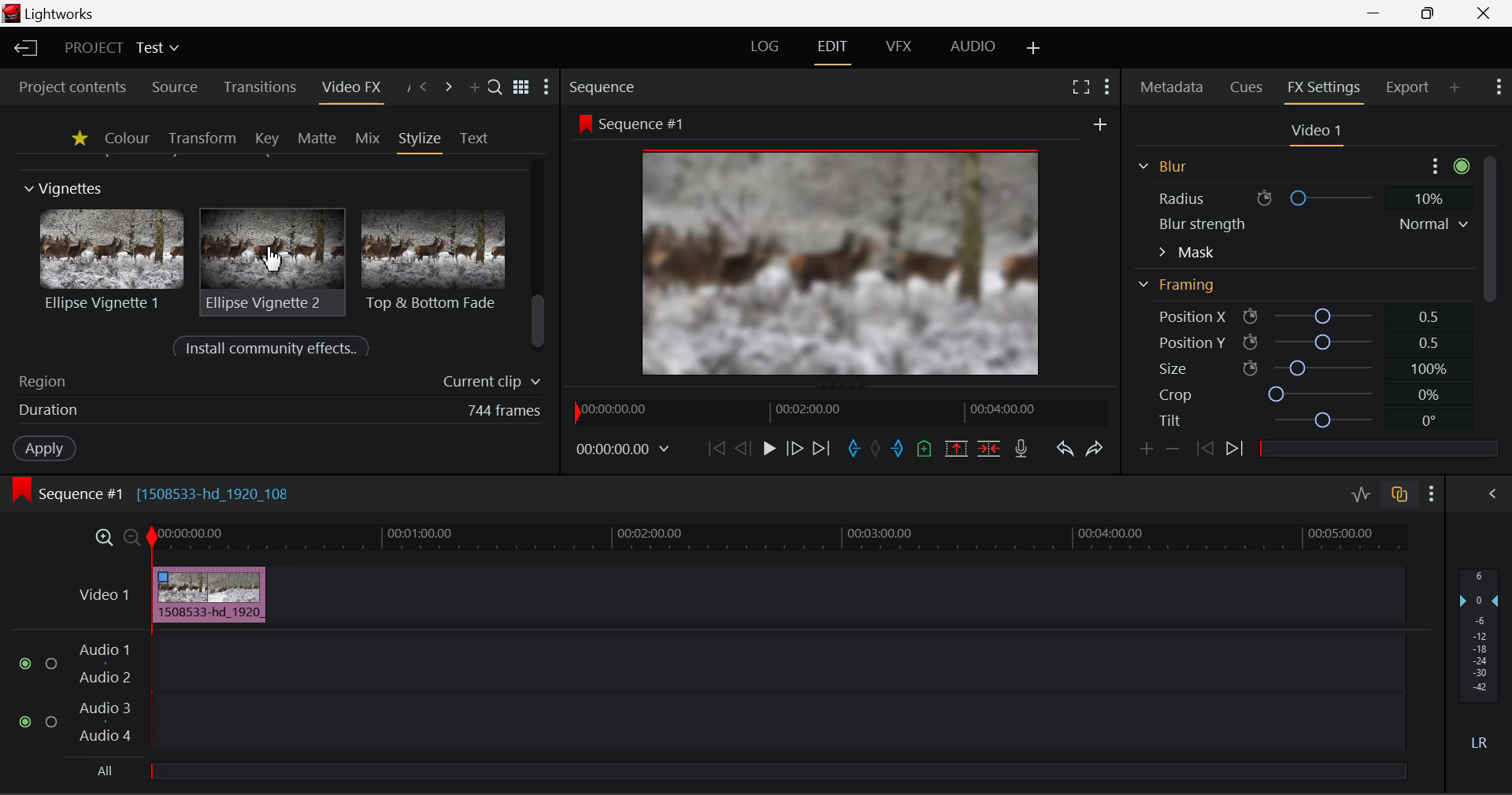 The height and width of the screenshot is (795, 1512). I want to click on Project Timeline Navigator, so click(836, 412).